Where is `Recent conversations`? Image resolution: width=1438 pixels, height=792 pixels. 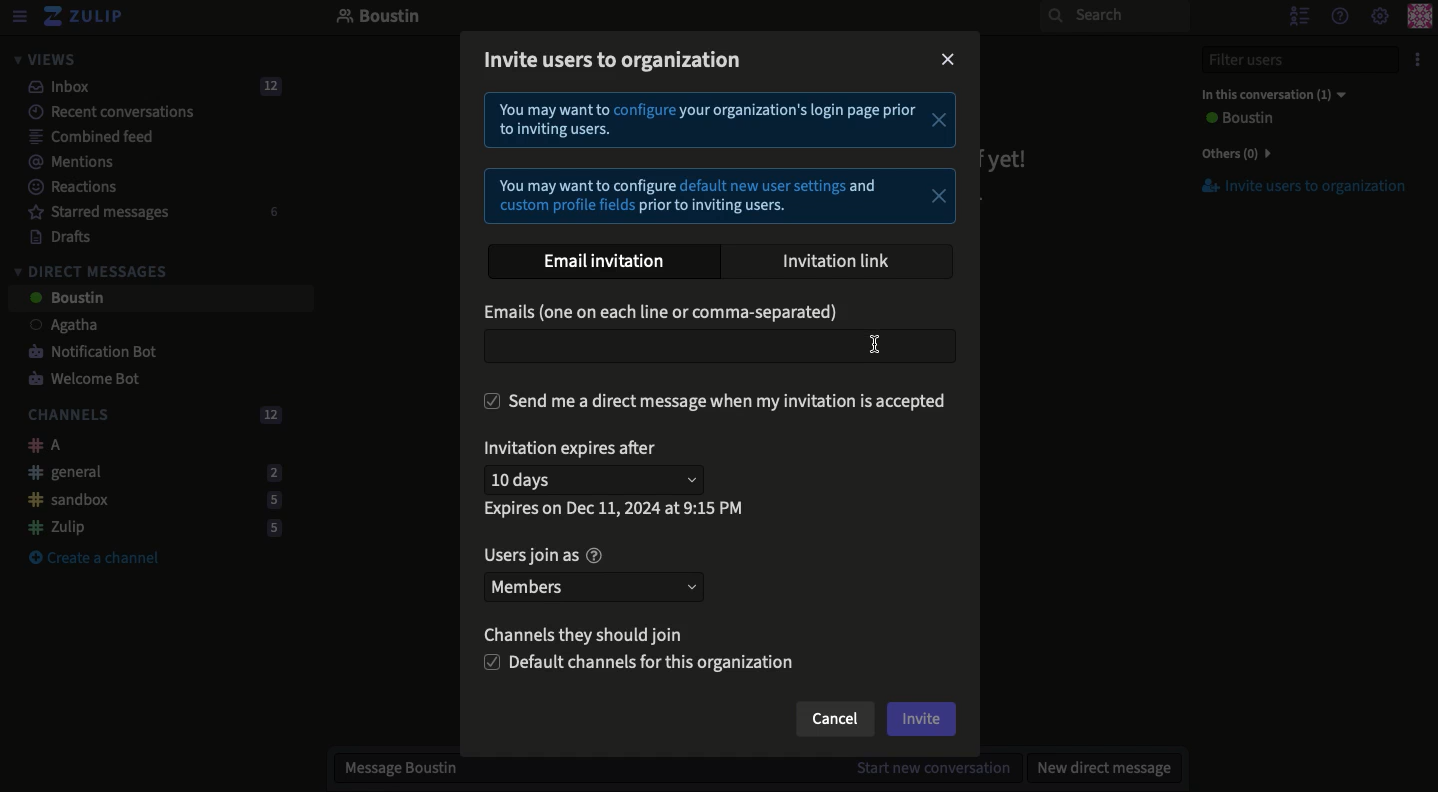
Recent conversations is located at coordinates (99, 111).